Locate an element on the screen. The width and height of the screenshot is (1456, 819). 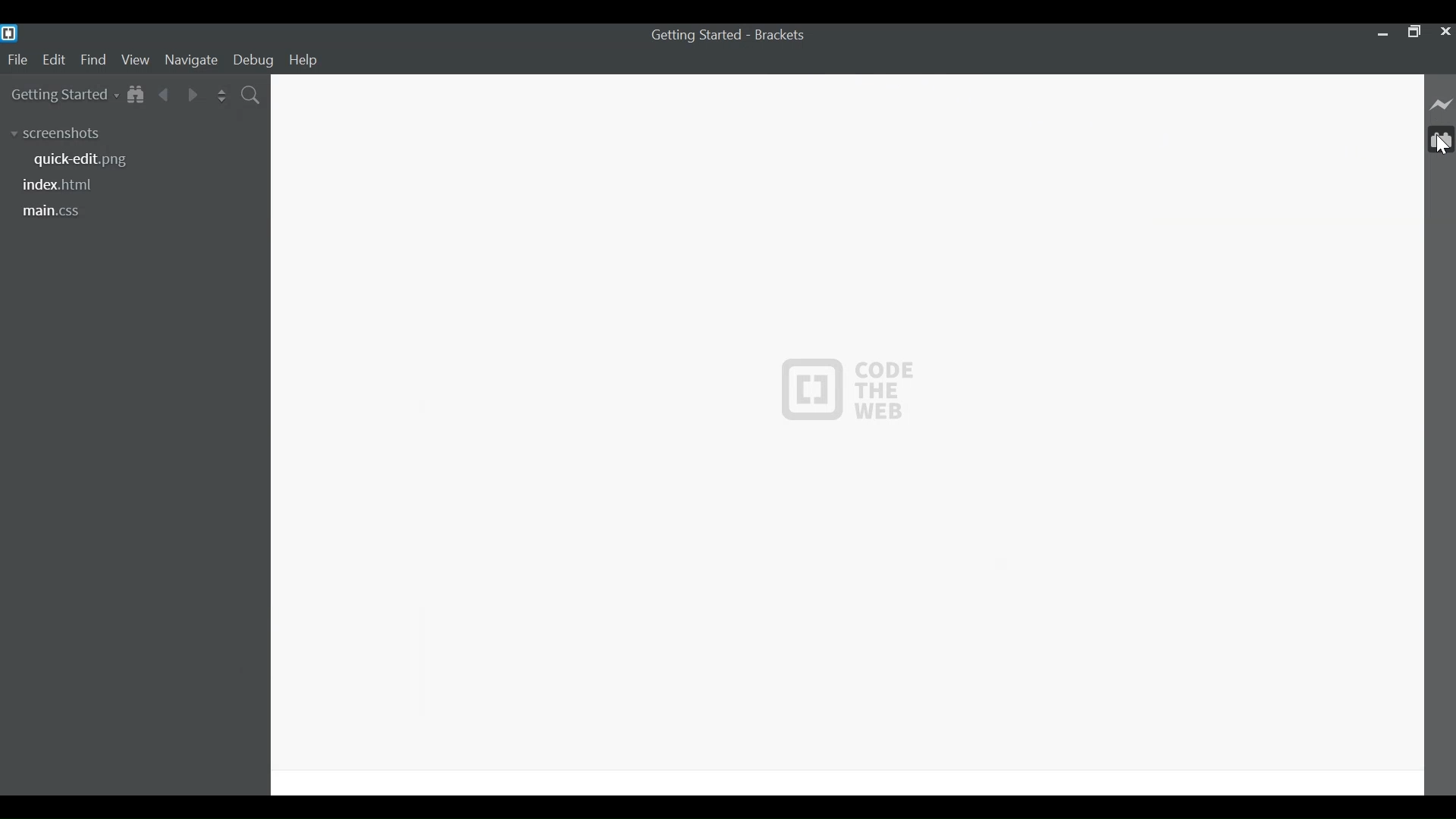
index.html is located at coordinates (60, 184).